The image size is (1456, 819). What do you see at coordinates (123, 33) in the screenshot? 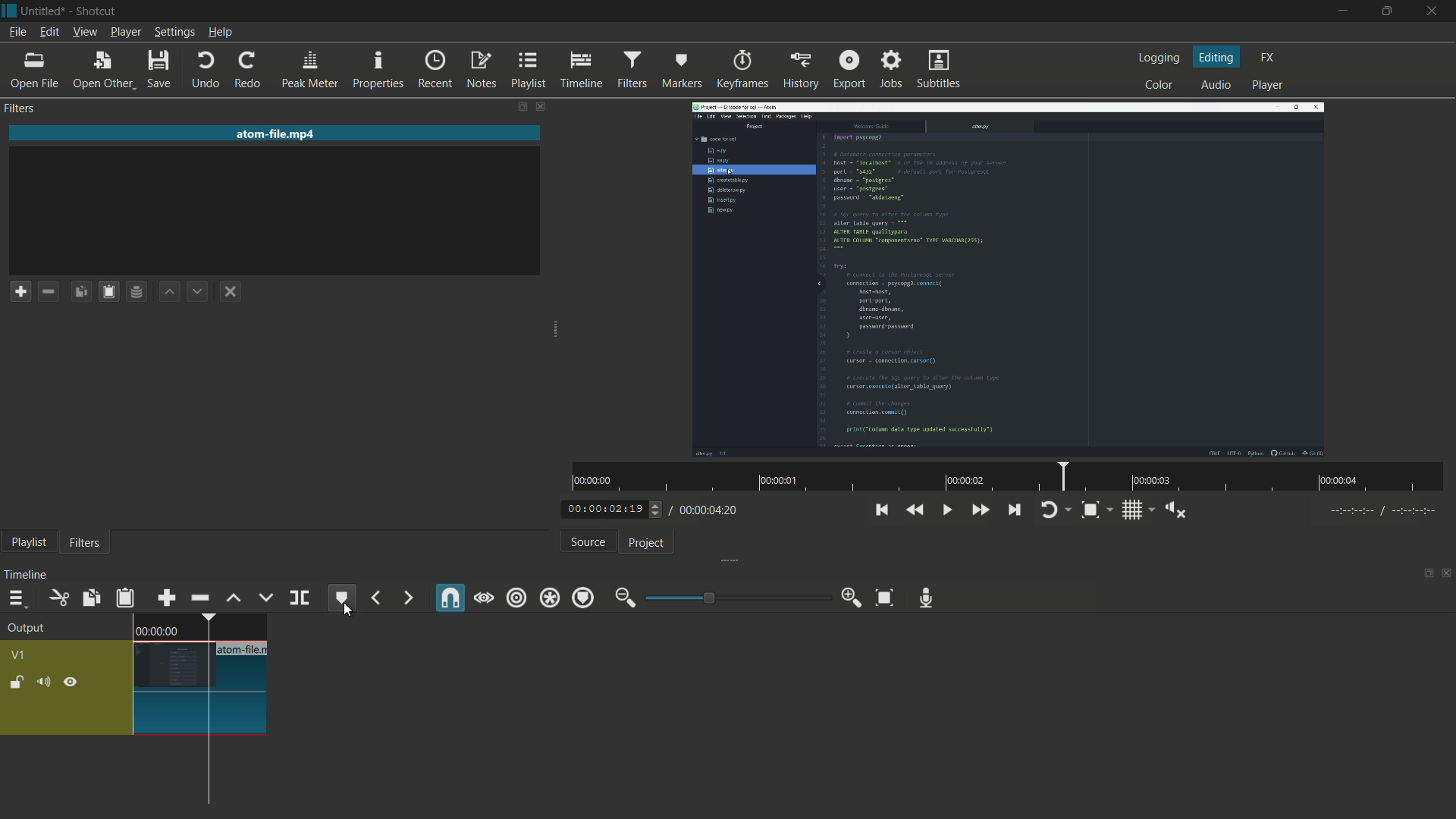
I see `player menu` at bounding box center [123, 33].